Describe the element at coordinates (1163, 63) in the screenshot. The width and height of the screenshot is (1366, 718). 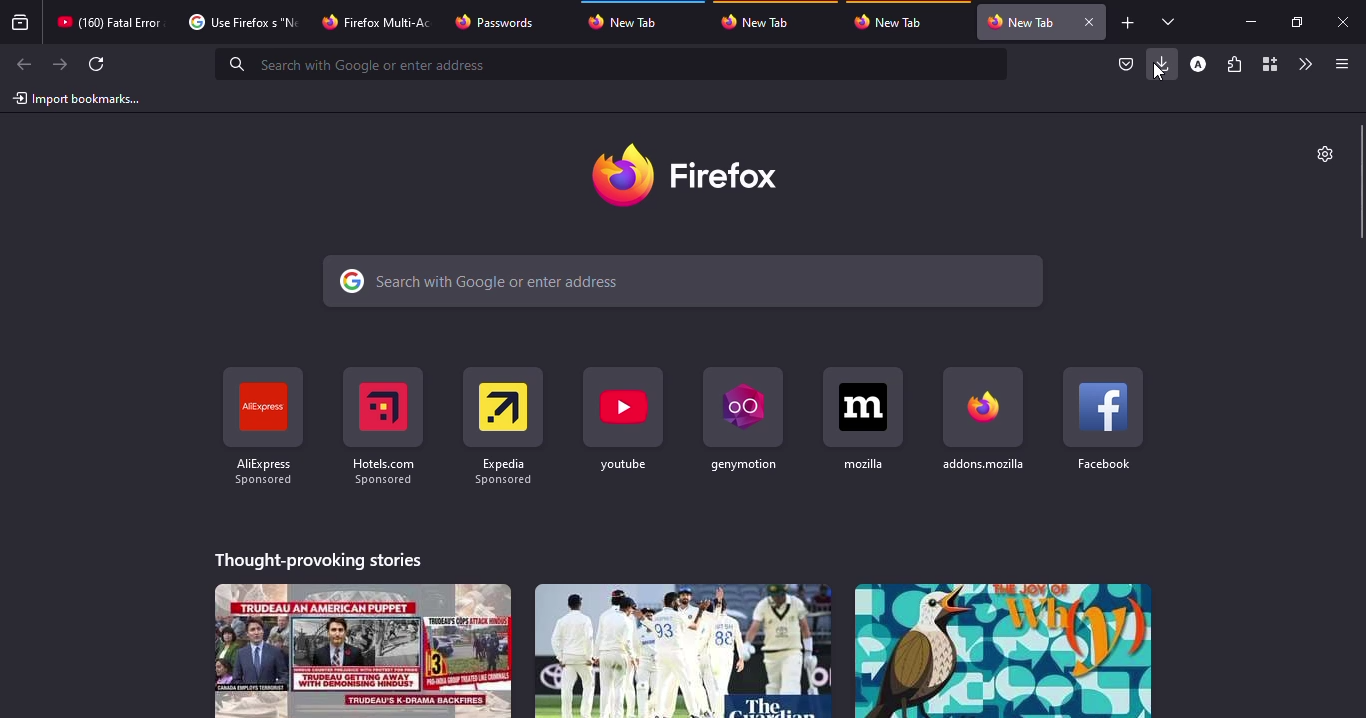
I see `downloads` at that location.